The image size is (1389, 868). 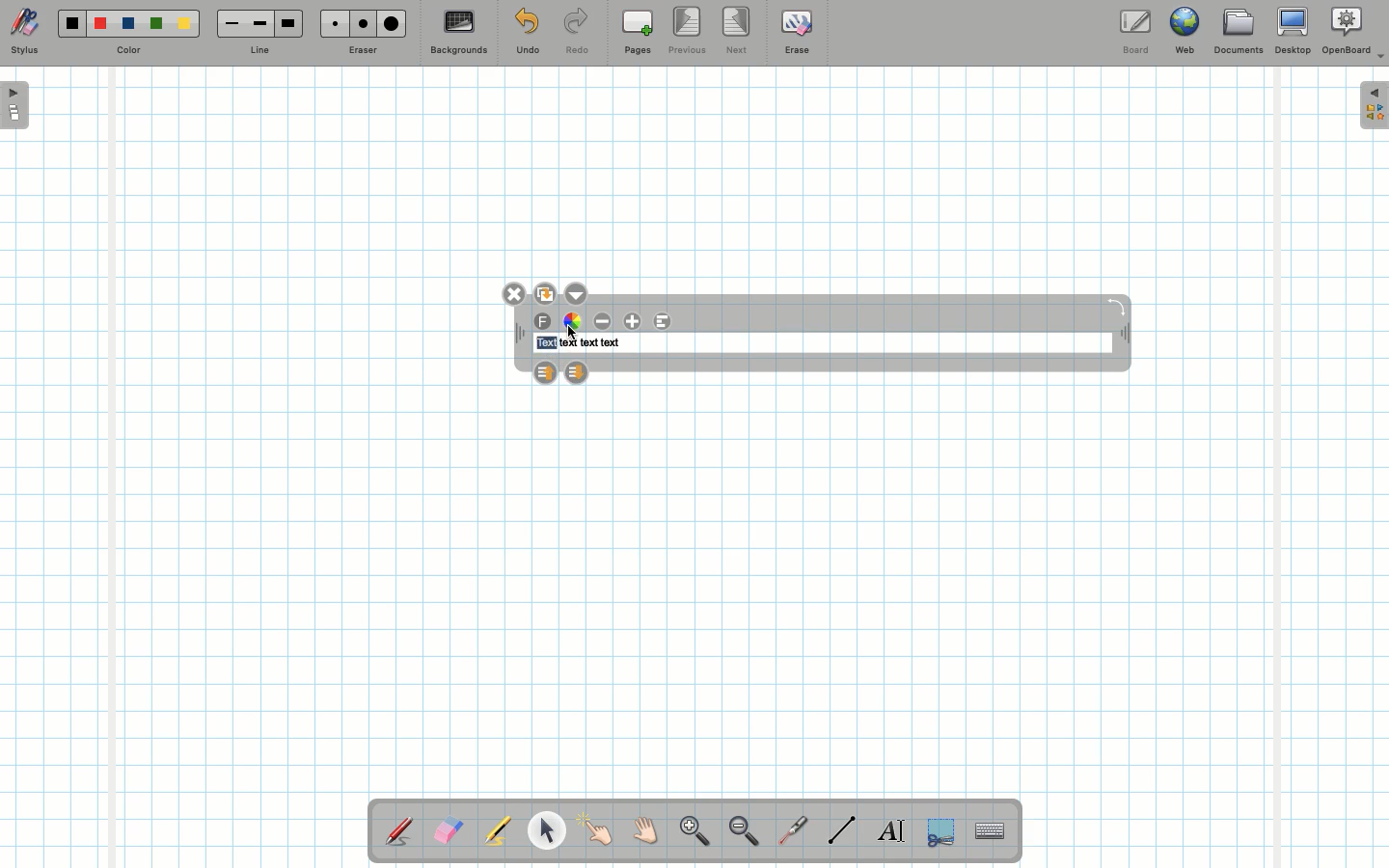 I want to click on Undo, so click(x=527, y=35).